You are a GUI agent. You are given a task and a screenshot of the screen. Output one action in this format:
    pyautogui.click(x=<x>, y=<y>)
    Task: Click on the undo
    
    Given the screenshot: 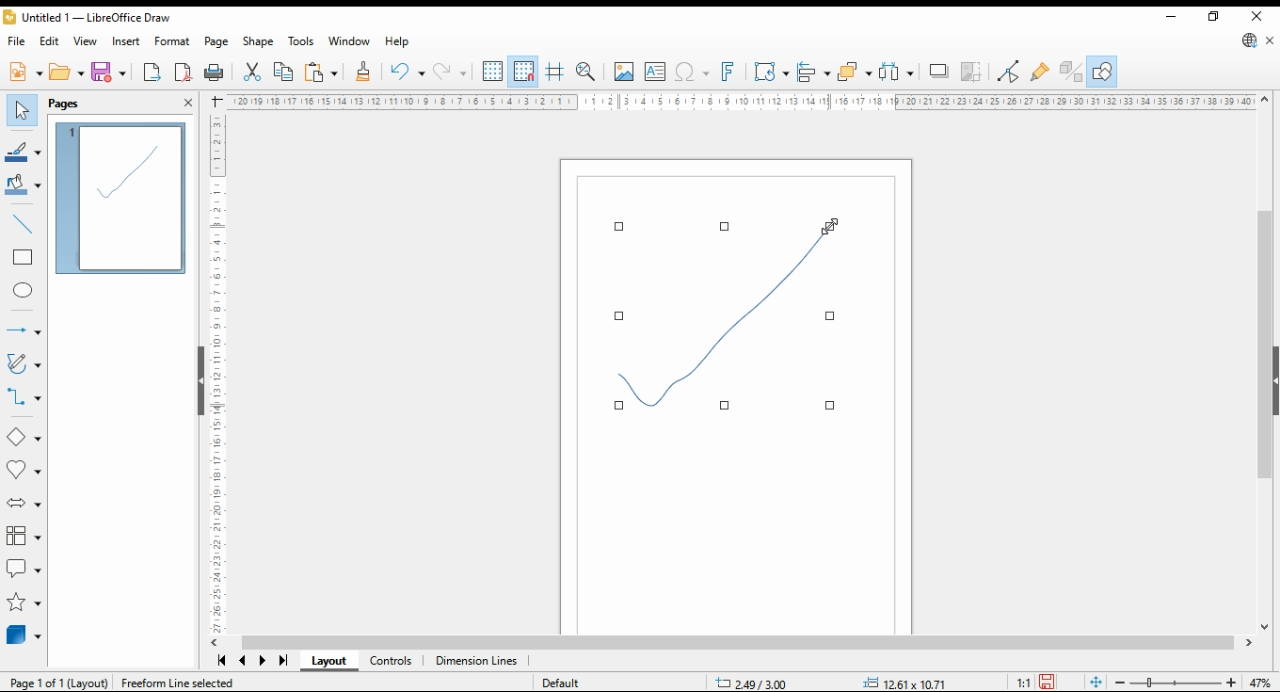 What is the action you would take?
    pyautogui.click(x=408, y=72)
    